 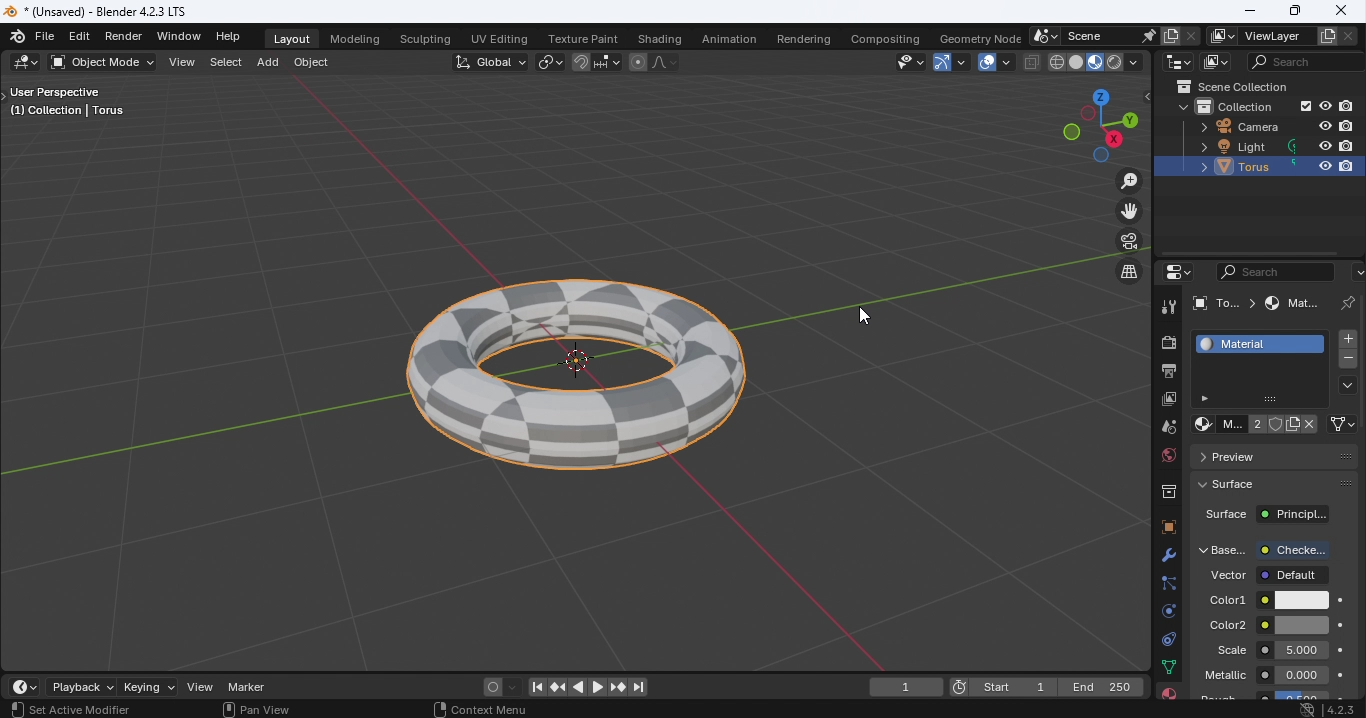 I want to click on End 250, so click(x=1099, y=688).